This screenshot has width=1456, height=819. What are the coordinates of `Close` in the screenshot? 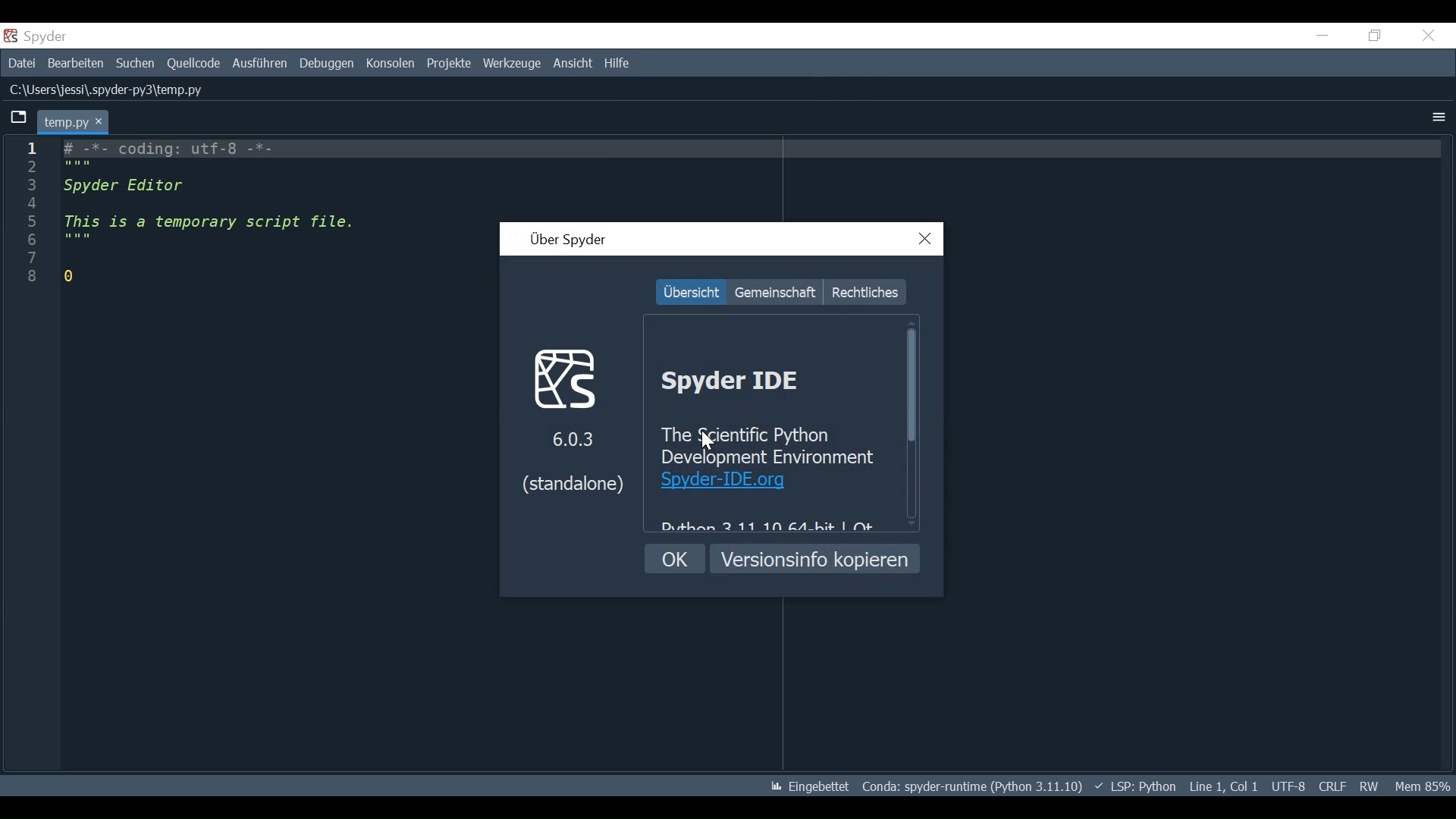 It's located at (1427, 37).